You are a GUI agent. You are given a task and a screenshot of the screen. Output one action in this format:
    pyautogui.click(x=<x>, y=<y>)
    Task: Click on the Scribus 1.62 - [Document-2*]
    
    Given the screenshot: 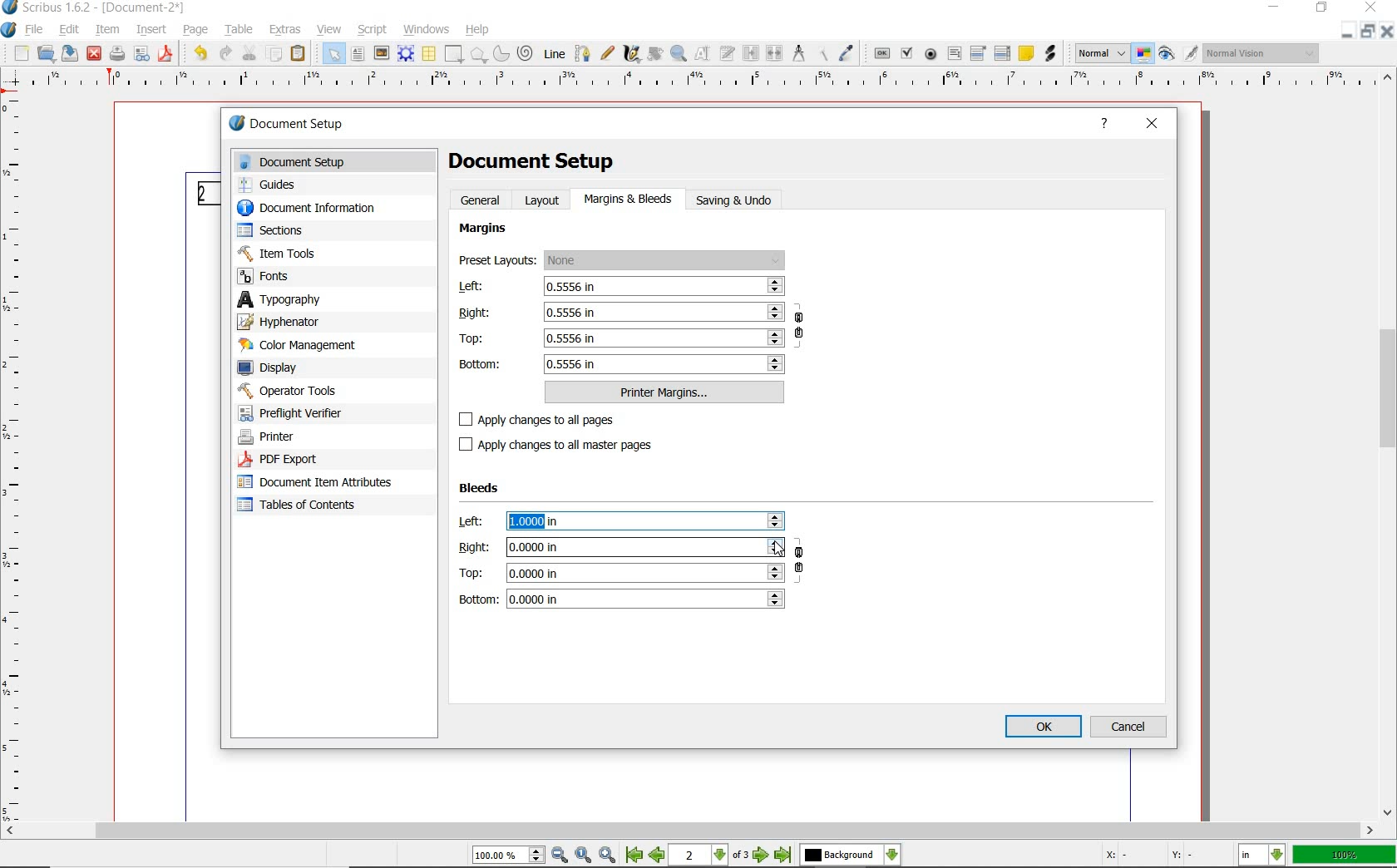 What is the action you would take?
    pyautogui.click(x=96, y=7)
    